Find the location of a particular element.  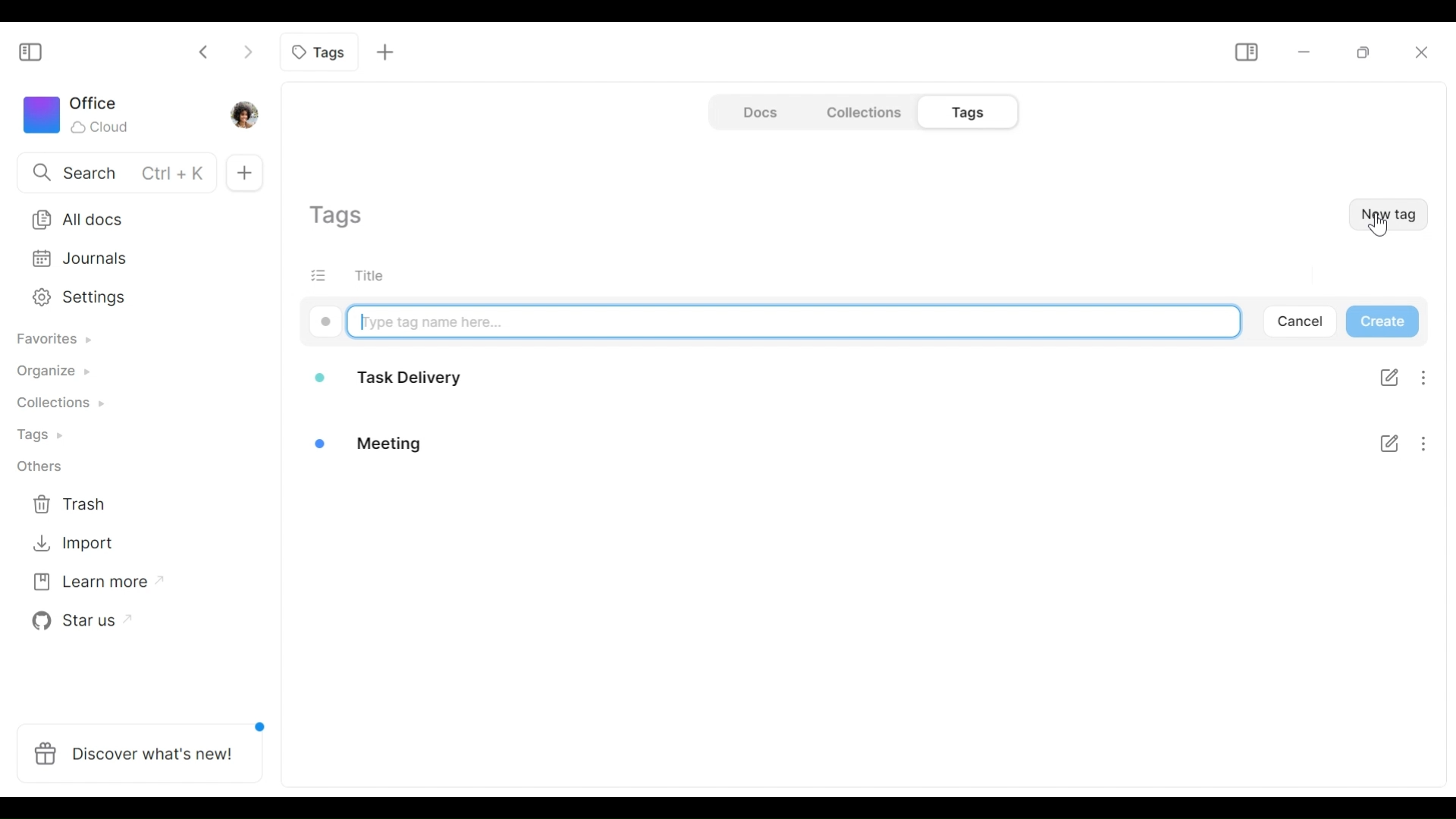

Workspace is located at coordinates (87, 113).